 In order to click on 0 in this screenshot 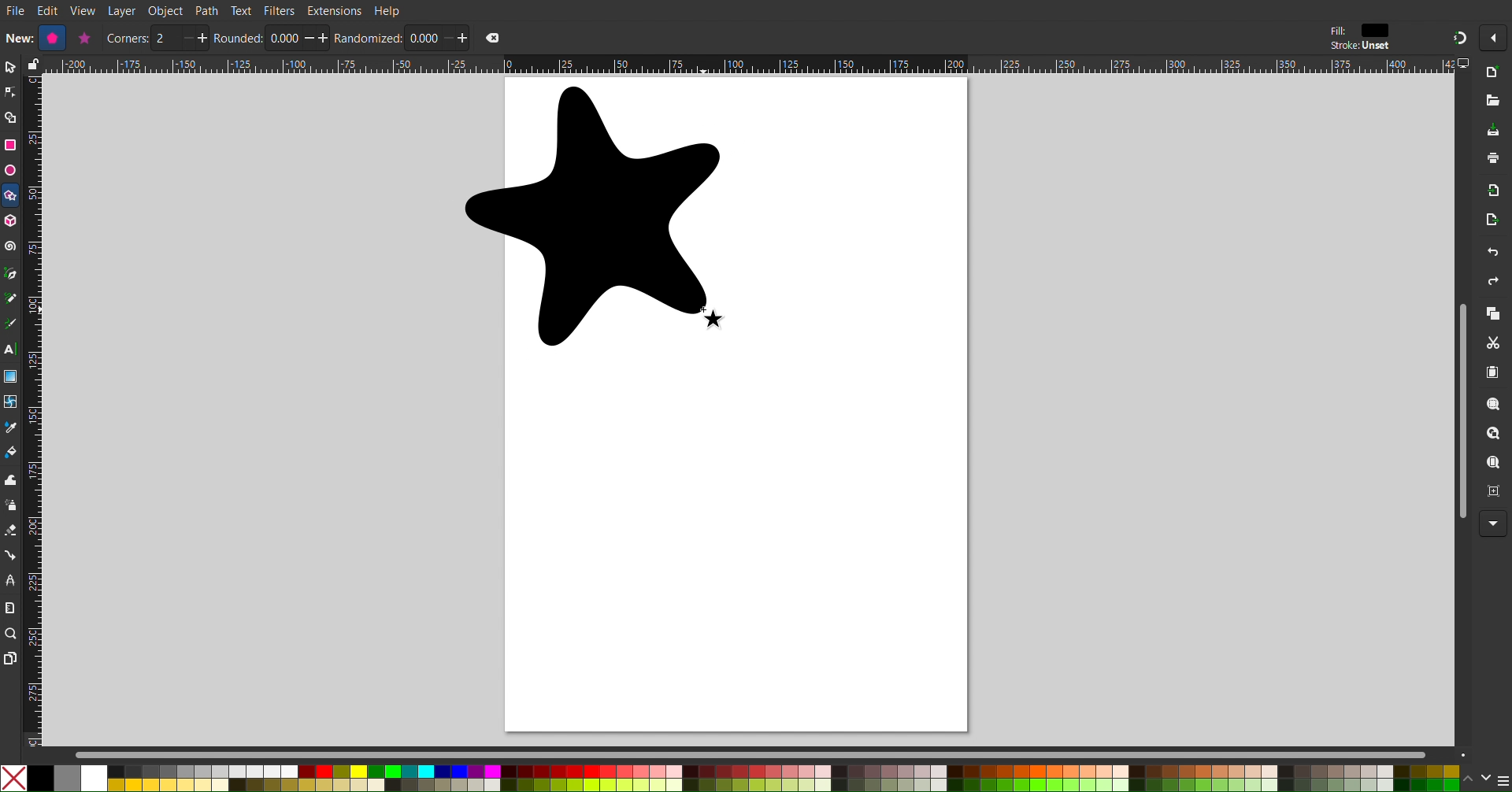, I will do `click(422, 38)`.